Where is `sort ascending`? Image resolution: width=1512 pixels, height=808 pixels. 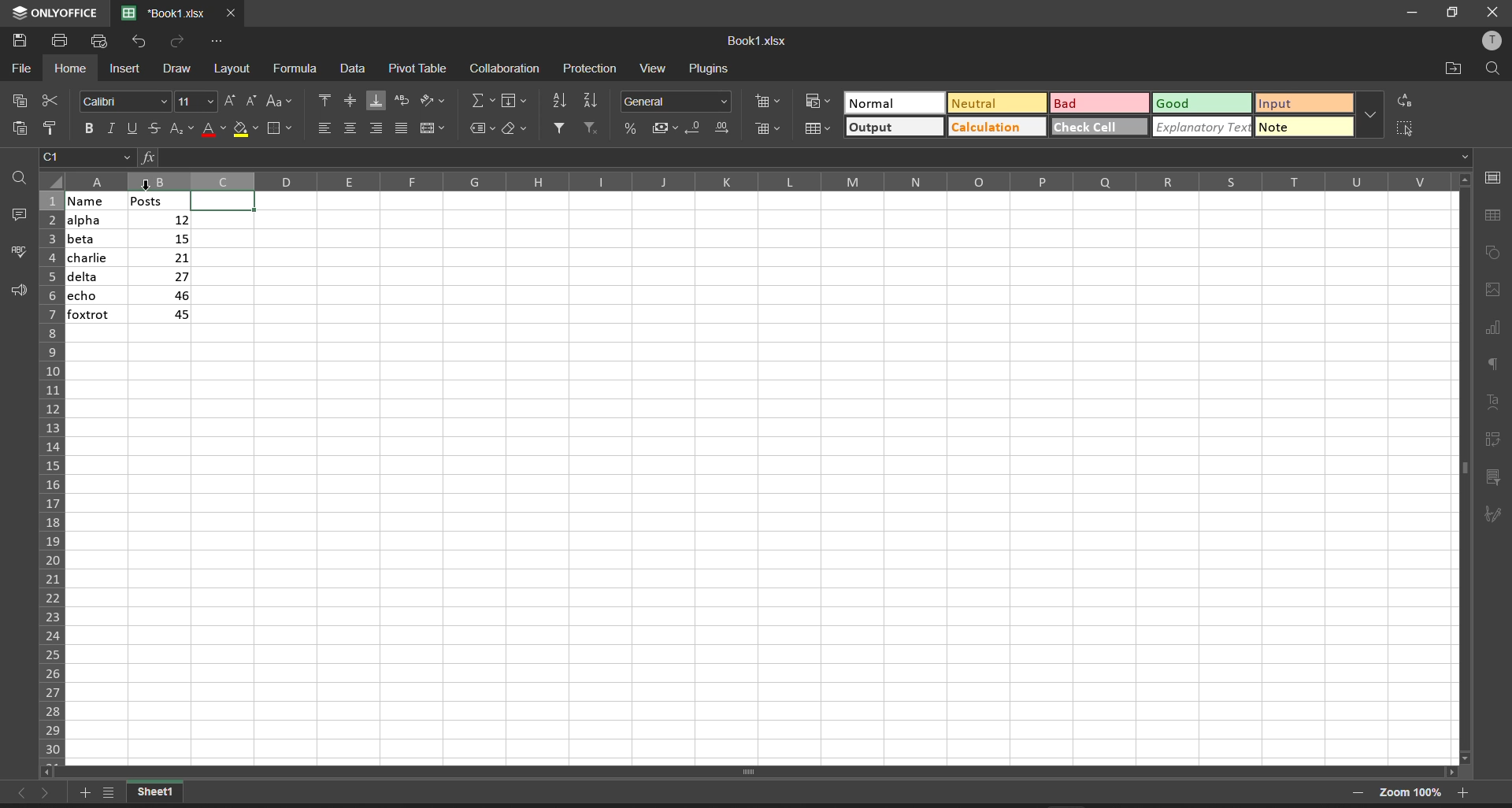
sort ascending is located at coordinates (559, 101).